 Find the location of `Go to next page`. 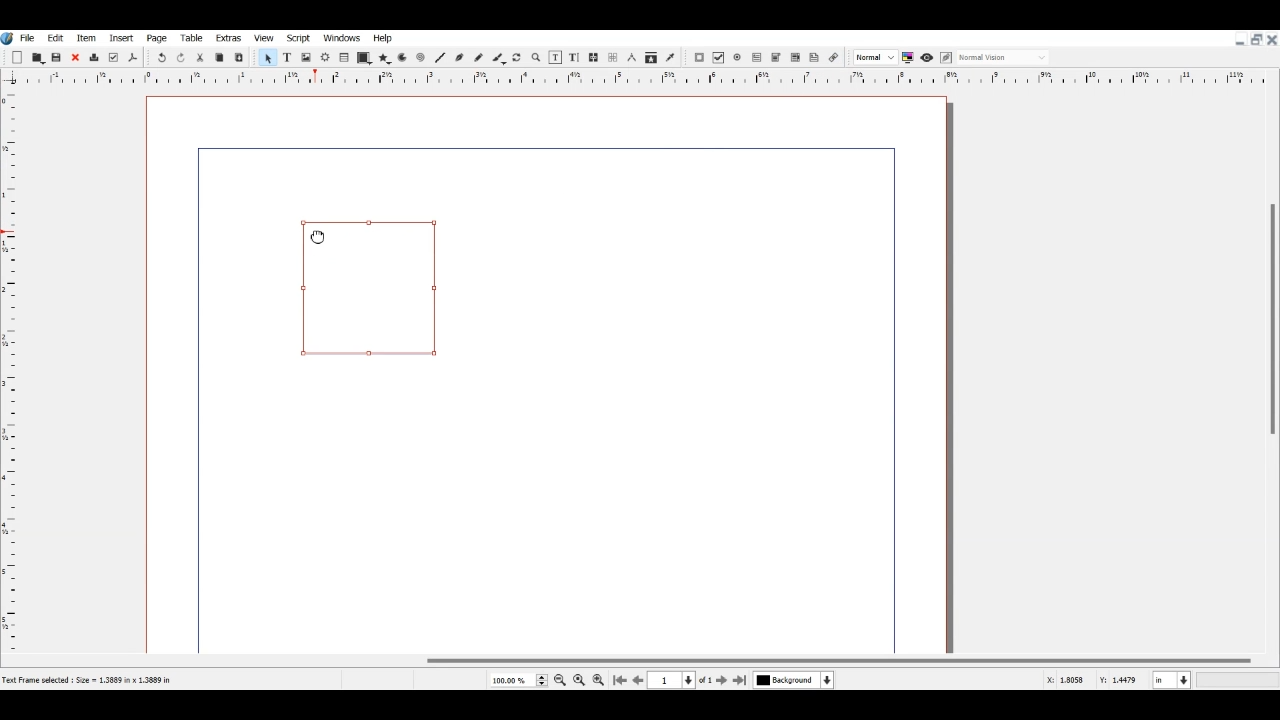

Go to next page is located at coordinates (723, 680).